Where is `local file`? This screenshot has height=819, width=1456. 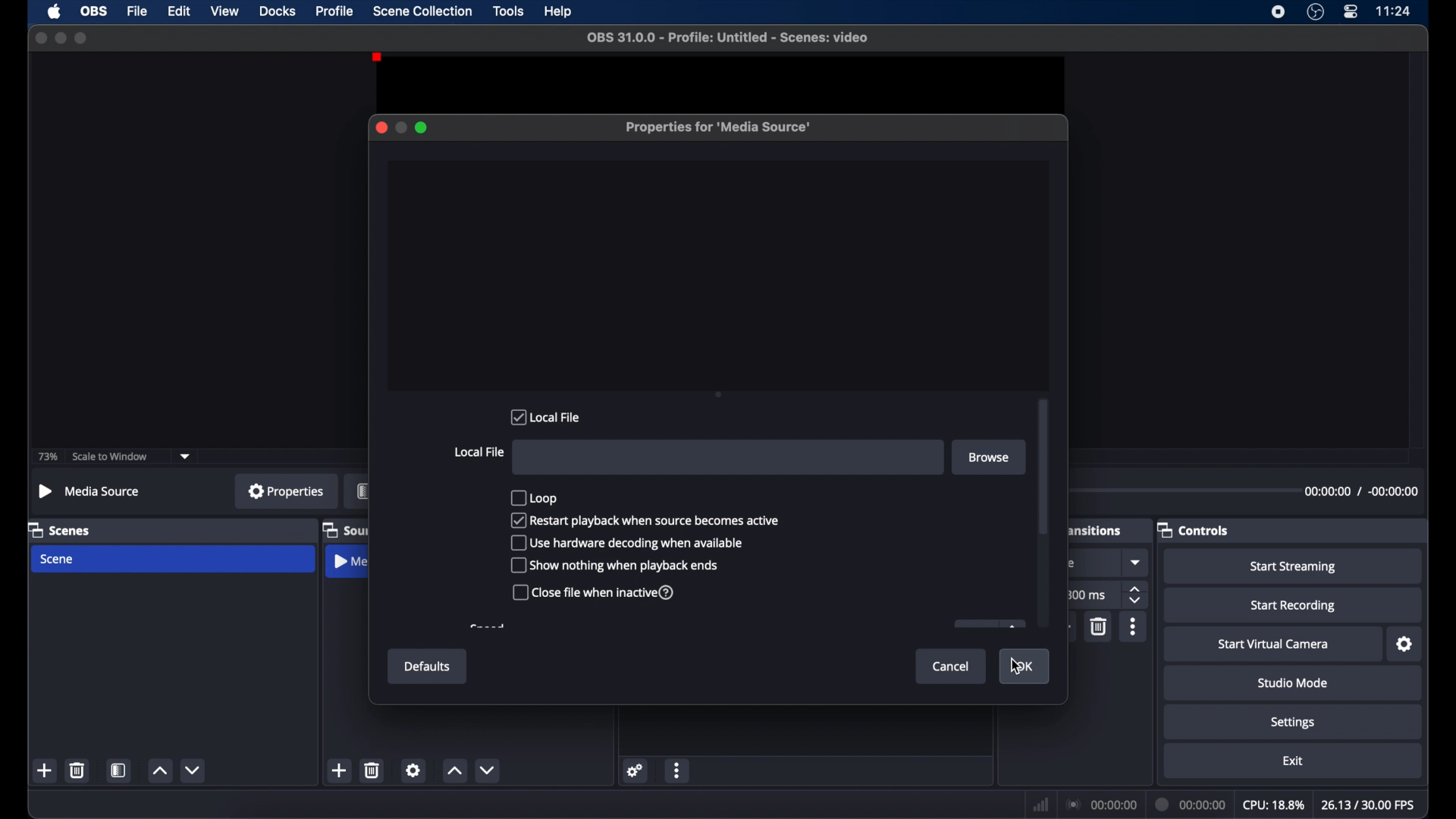 local file is located at coordinates (545, 416).